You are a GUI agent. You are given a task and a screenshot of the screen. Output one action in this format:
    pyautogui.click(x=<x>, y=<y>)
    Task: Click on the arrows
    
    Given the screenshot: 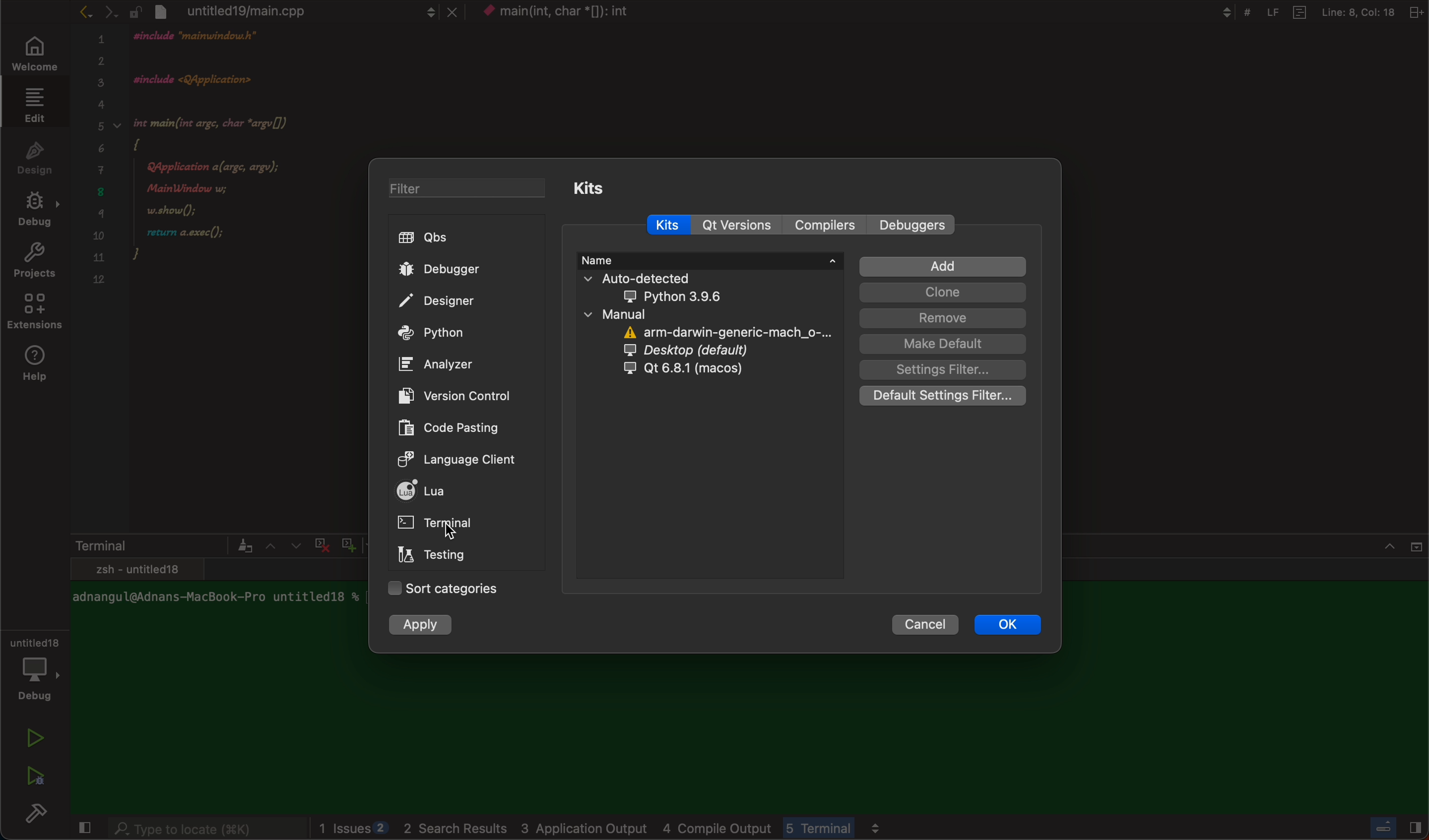 What is the action you would take?
    pyautogui.click(x=282, y=545)
    